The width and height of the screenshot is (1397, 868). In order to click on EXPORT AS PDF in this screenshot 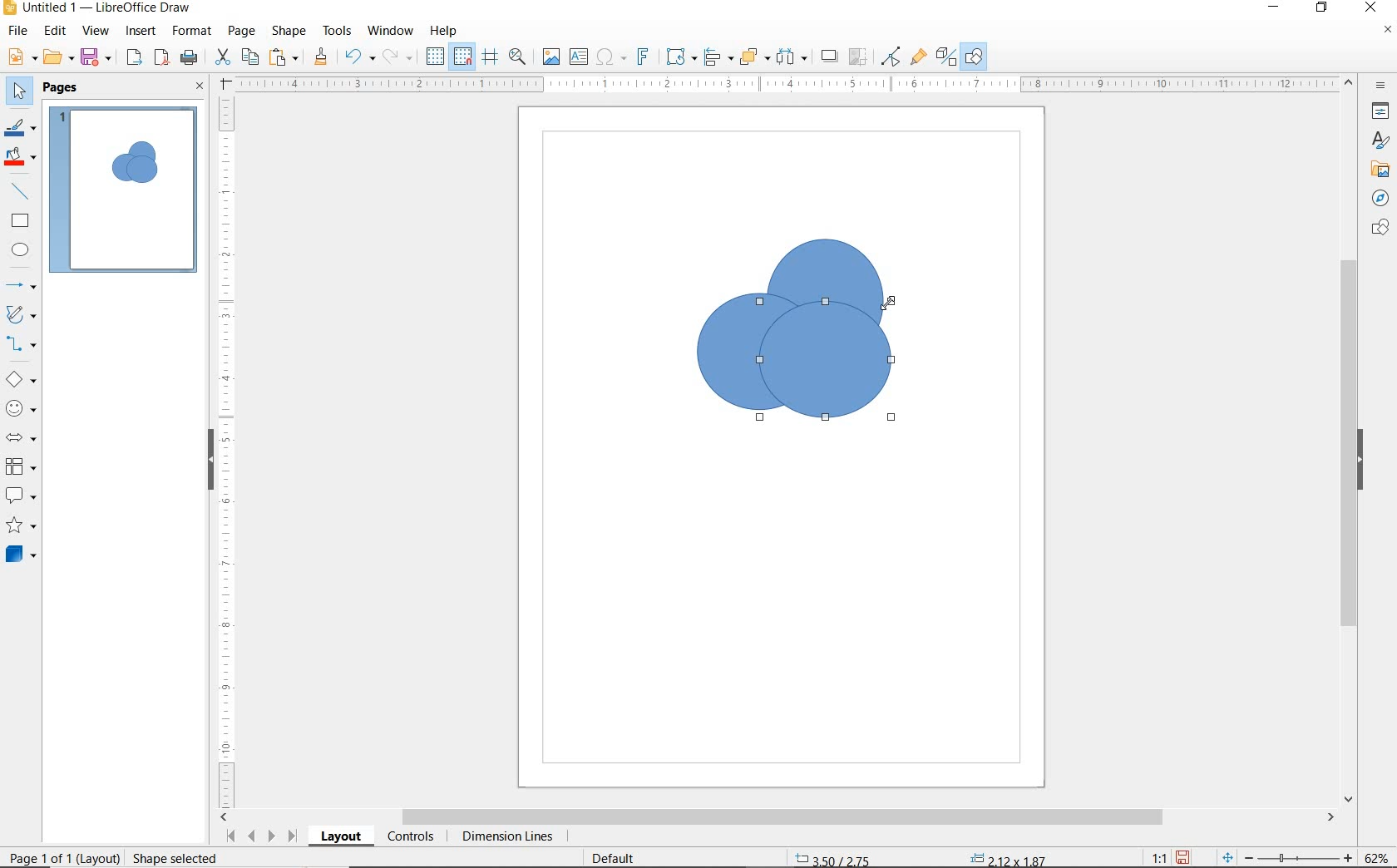, I will do `click(162, 59)`.